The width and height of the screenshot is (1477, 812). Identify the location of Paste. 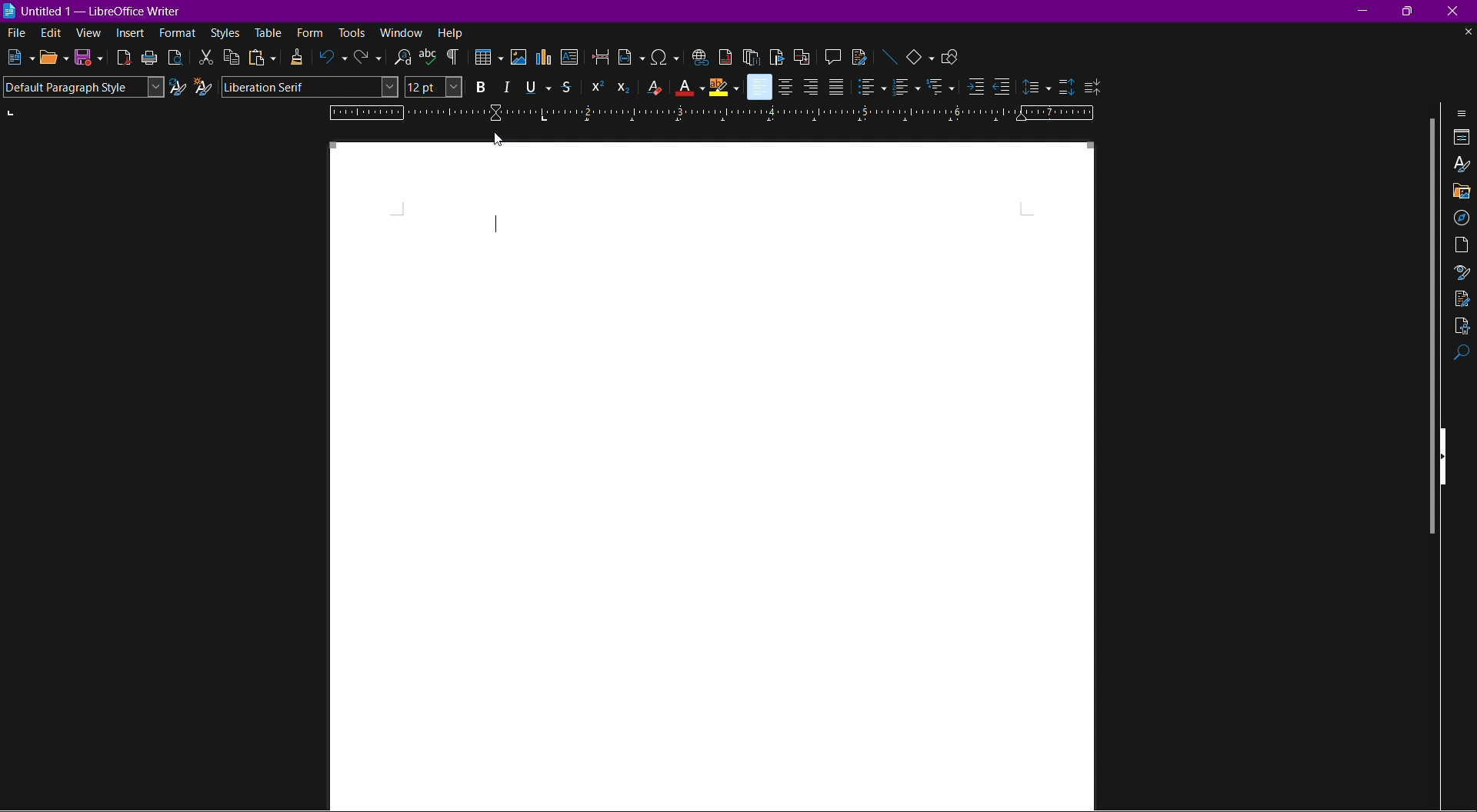
(261, 58).